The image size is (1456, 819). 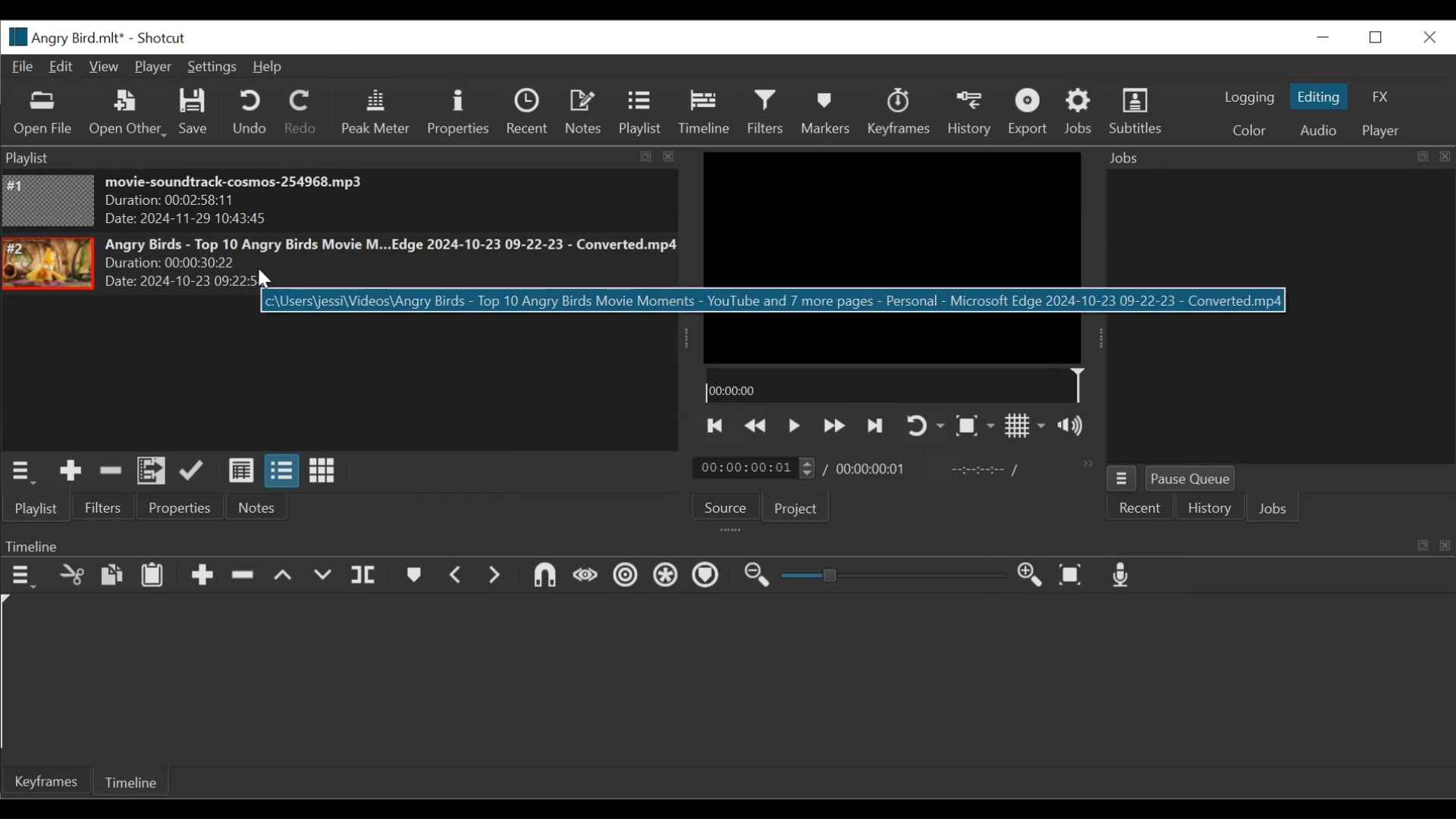 I want to click on Properties, so click(x=183, y=508).